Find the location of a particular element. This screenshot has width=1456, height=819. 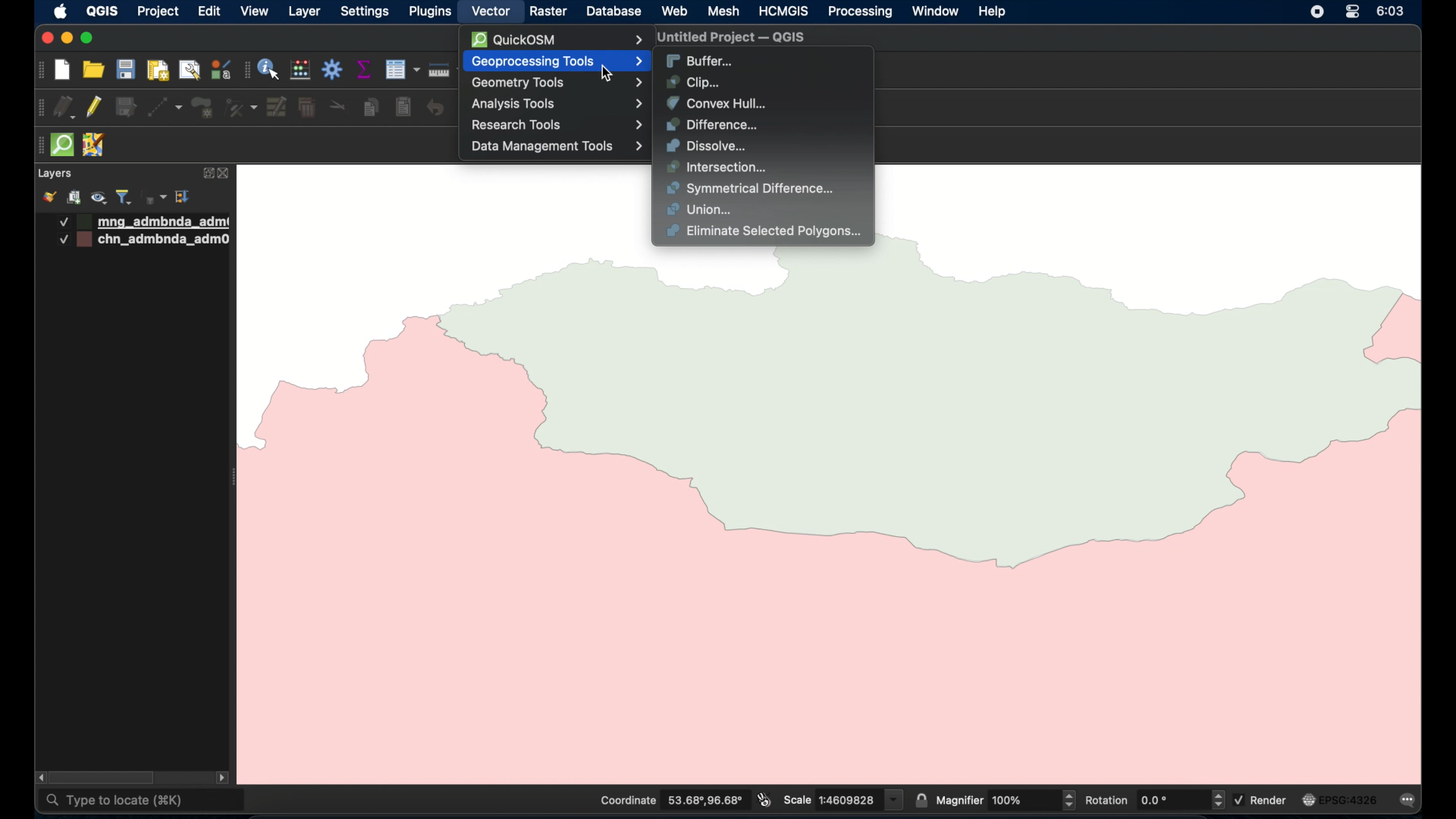

open layout manager is located at coordinates (189, 71).